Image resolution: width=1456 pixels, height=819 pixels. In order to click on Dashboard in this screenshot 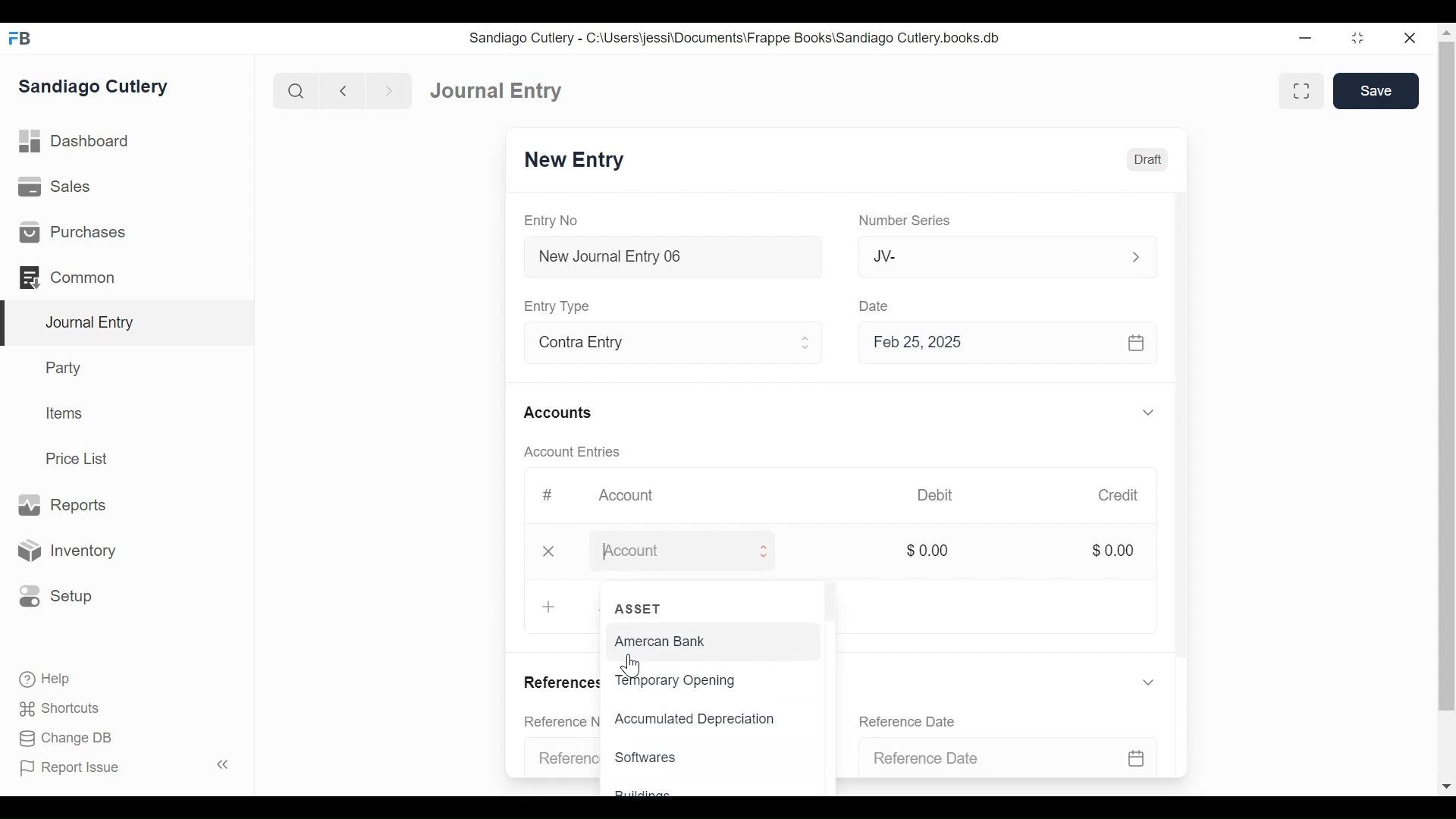, I will do `click(76, 142)`.